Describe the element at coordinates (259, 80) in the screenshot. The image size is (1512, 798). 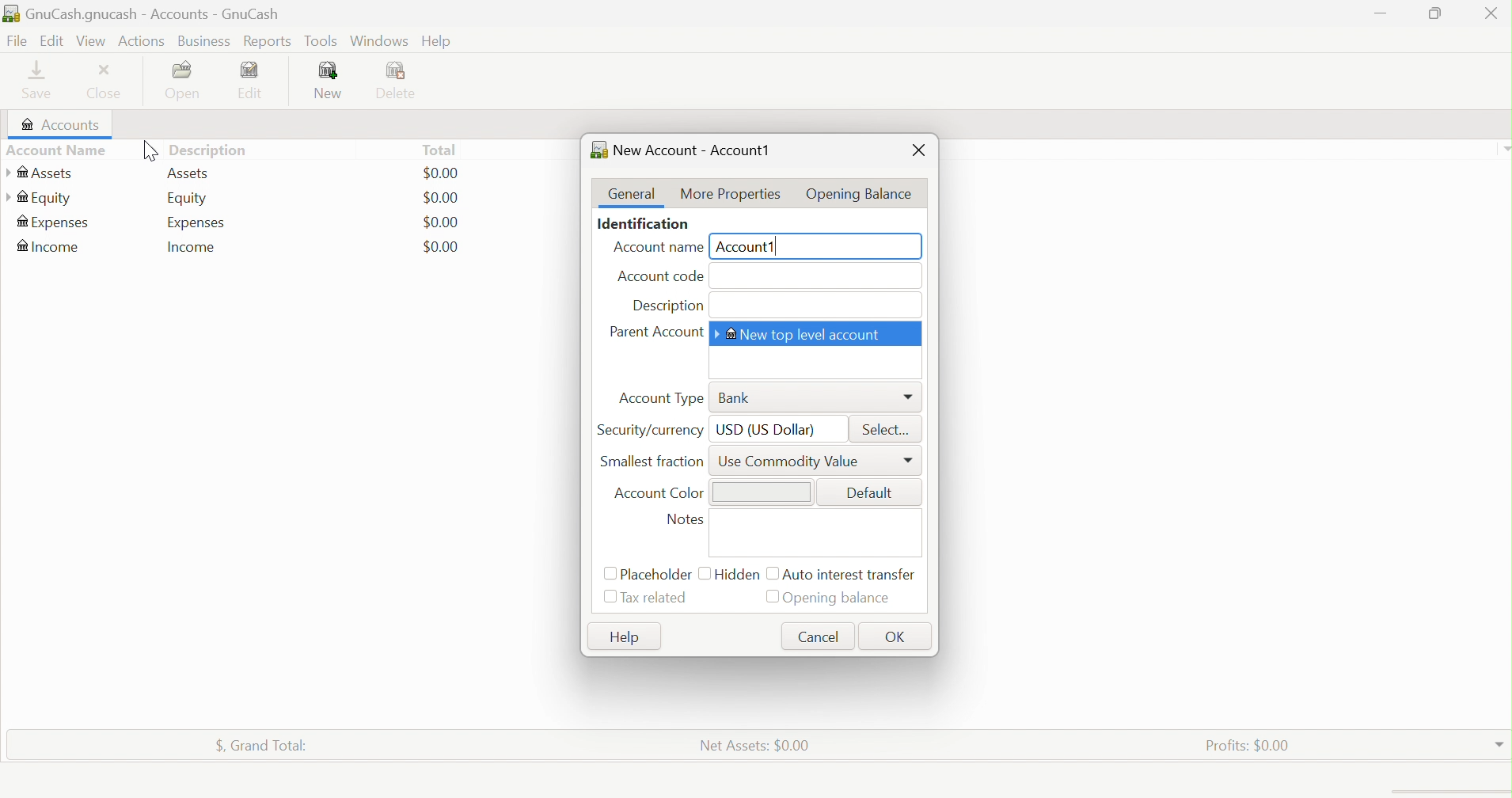
I see `Edit` at that location.